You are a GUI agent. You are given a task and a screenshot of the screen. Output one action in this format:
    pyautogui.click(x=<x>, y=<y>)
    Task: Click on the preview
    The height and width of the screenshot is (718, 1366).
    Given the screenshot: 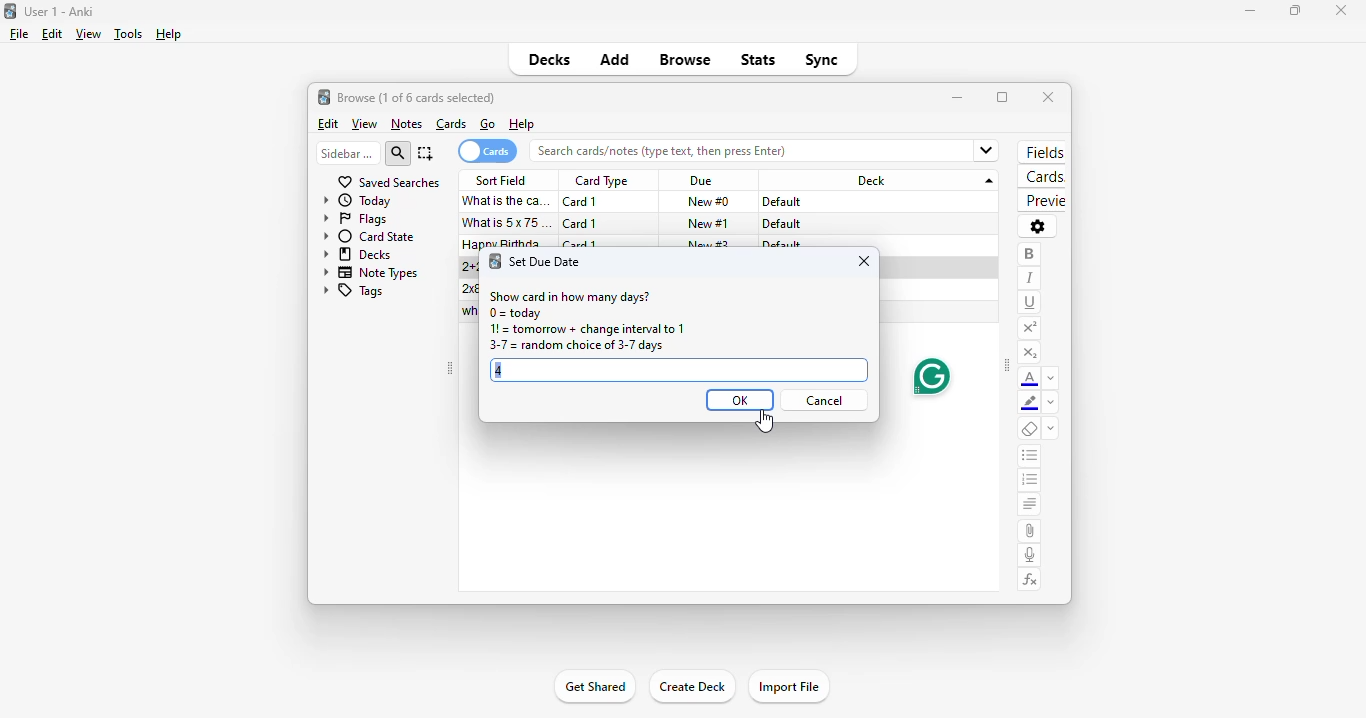 What is the action you would take?
    pyautogui.click(x=1041, y=201)
    